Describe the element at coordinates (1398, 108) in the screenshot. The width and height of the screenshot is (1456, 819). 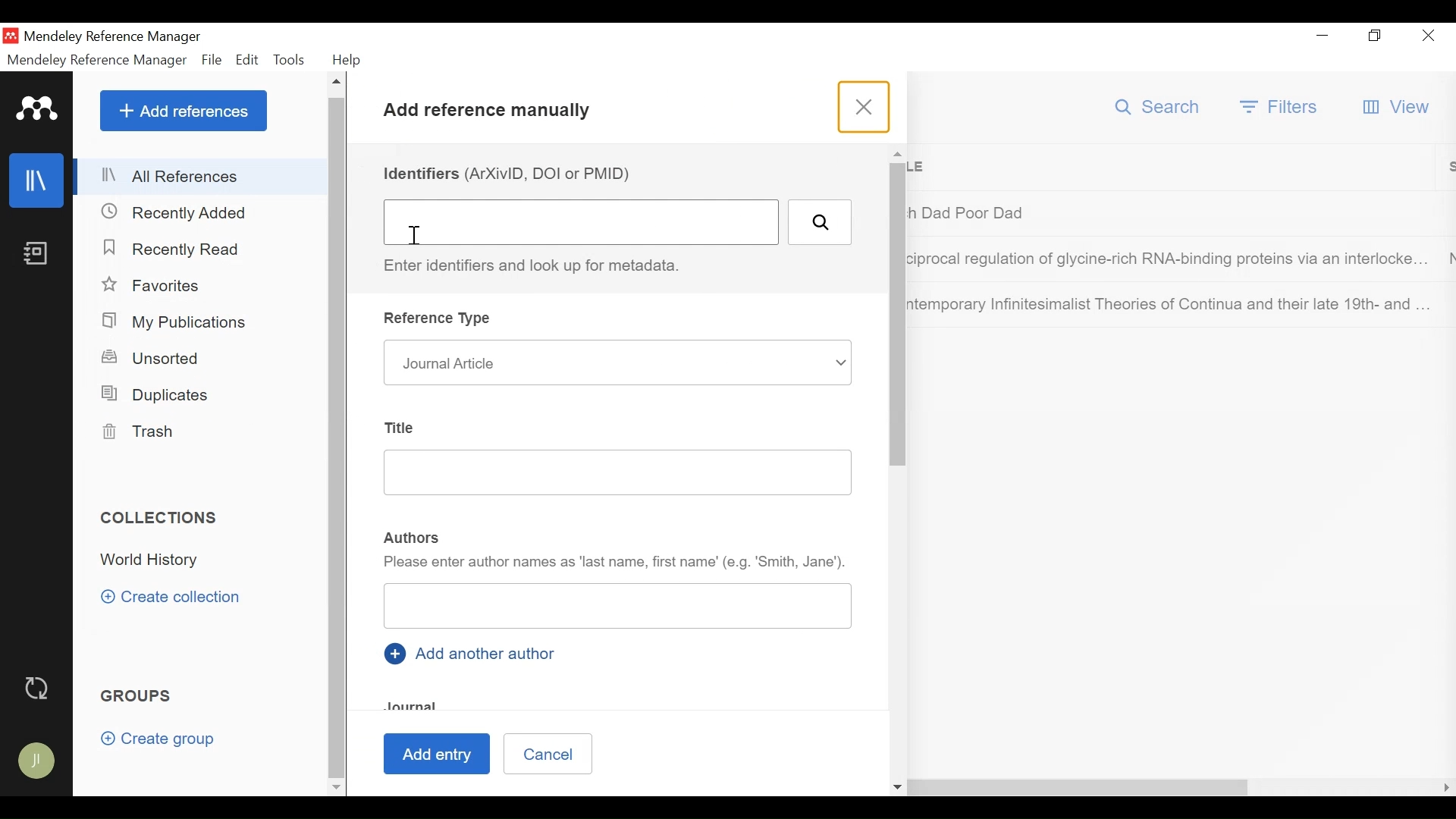
I see `View` at that location.